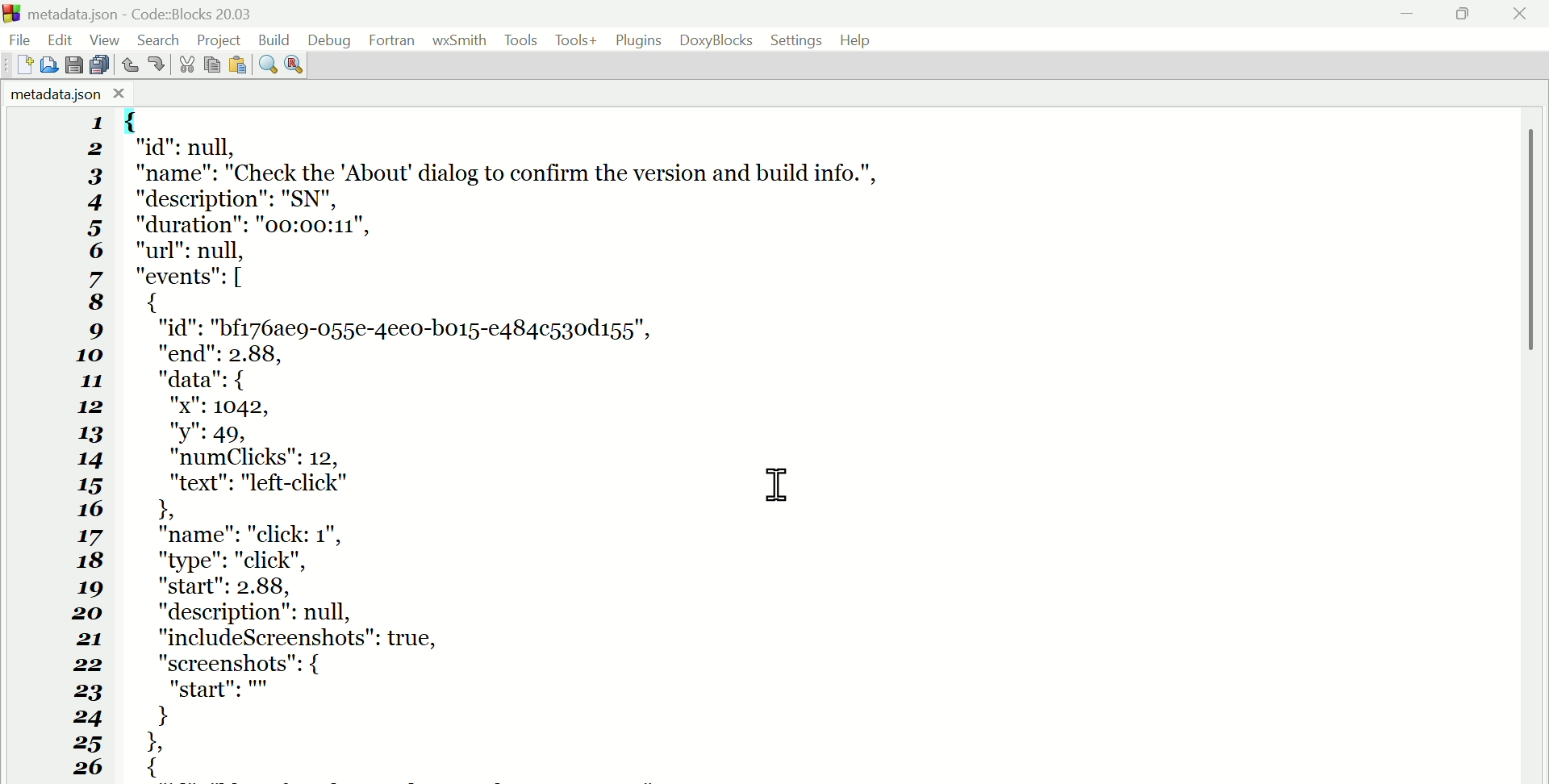 The height and width of the screenshot is (784, 1549). I want to click on Undo, so click(132, 61).